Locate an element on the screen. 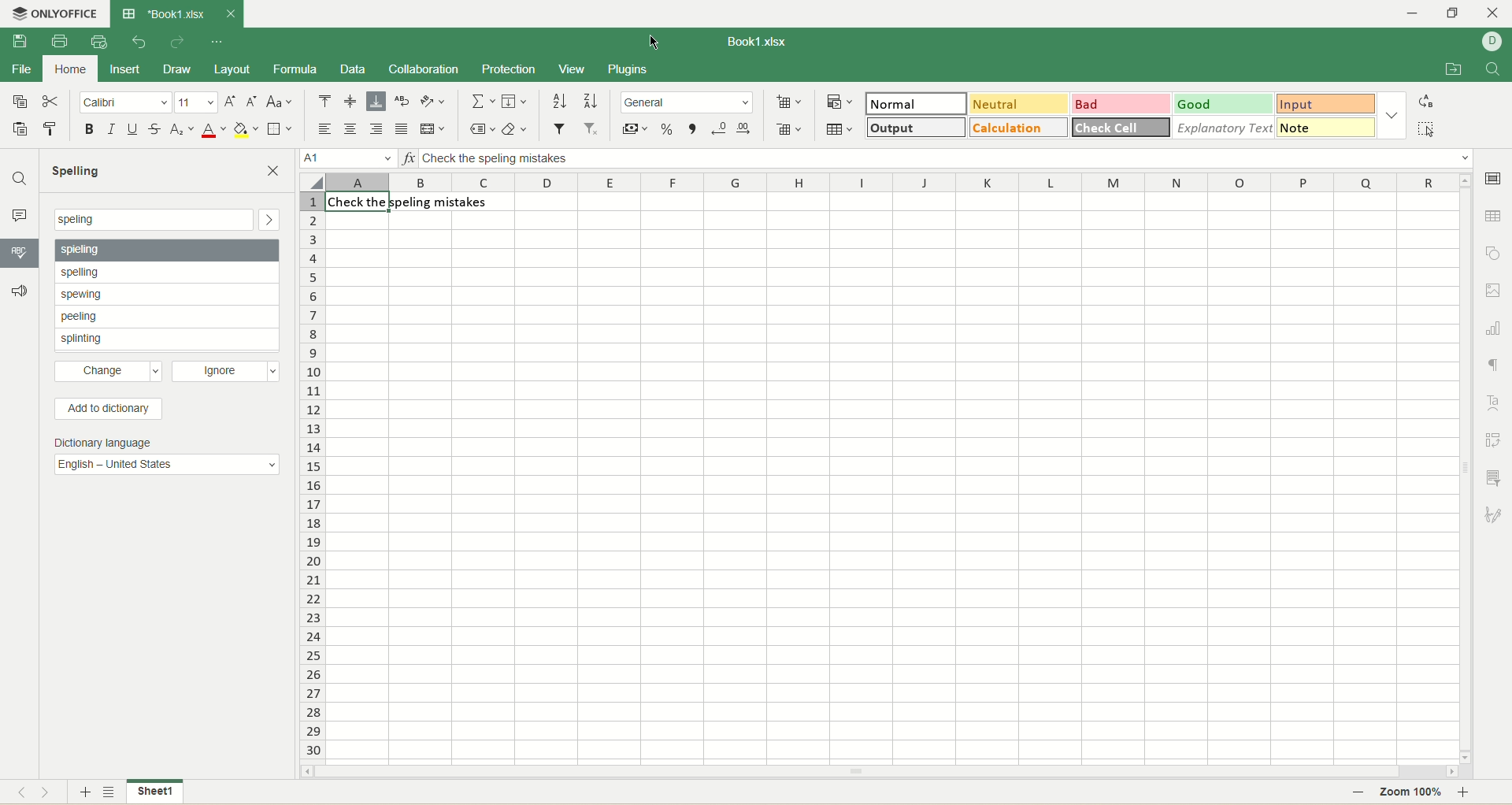  align center is located at coordinates (349, 129).